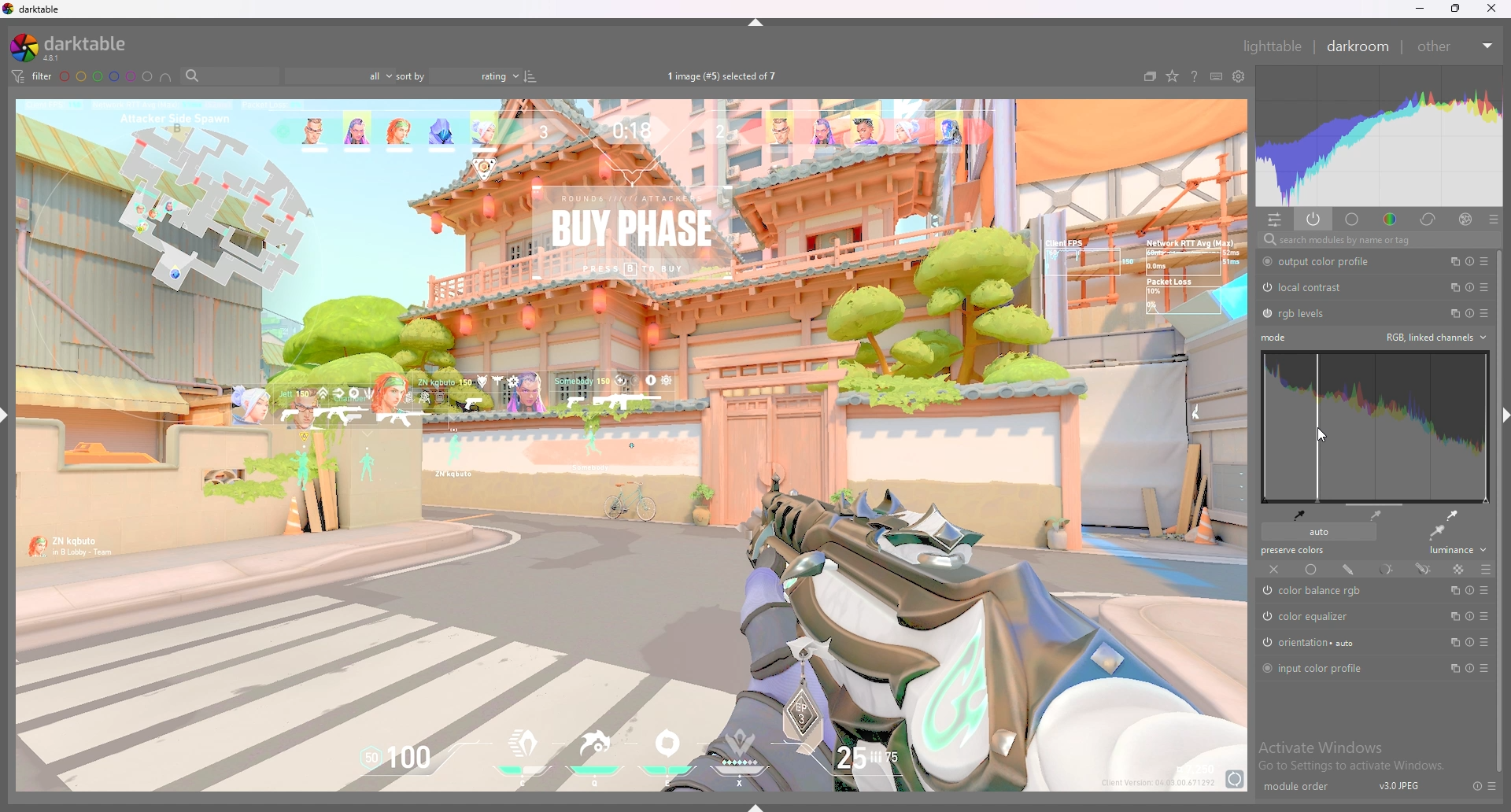  Describe the element at coordinates (1315, 287) in the screenshot. I see `local contrast` at that location.